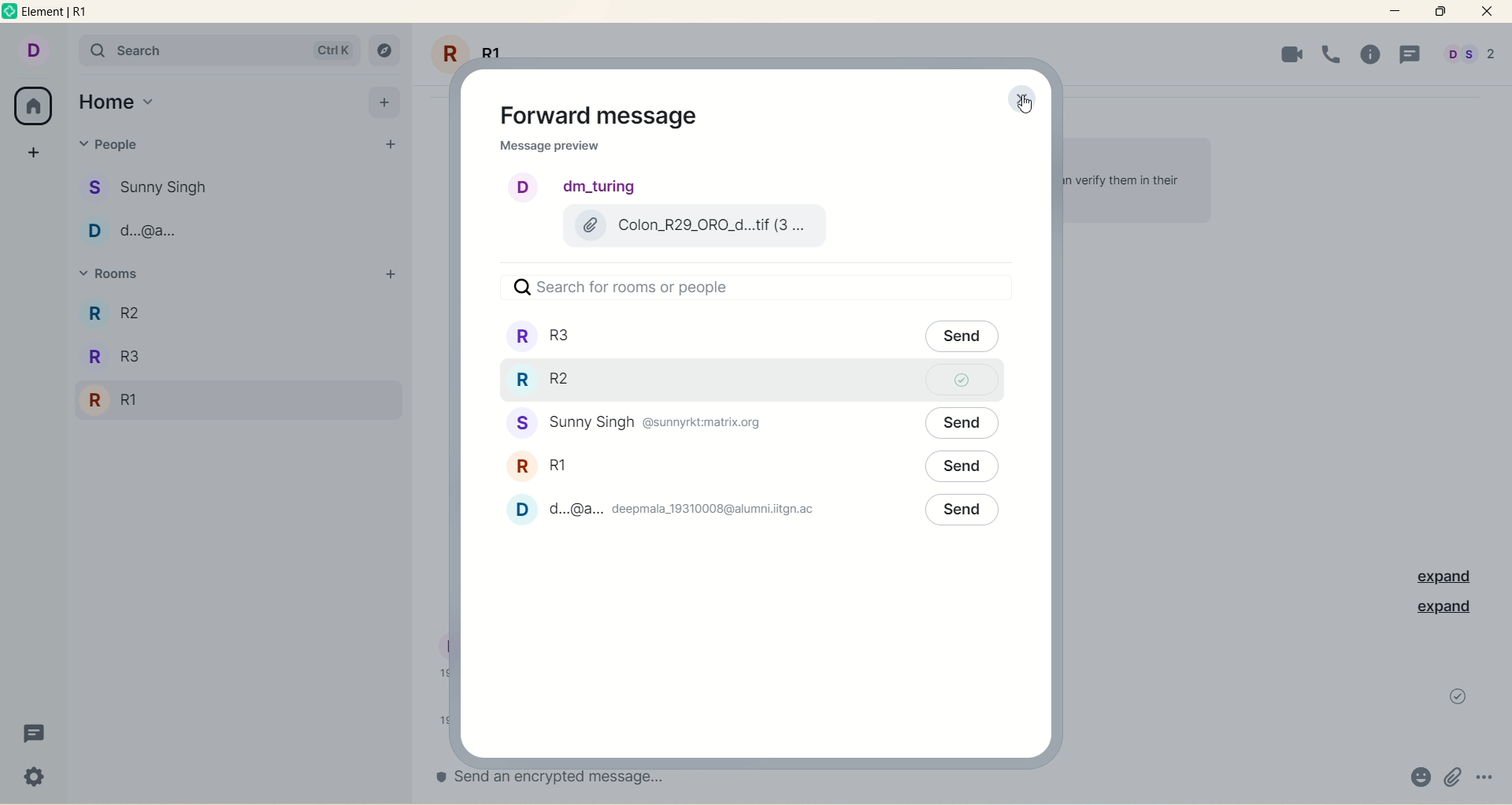 This screenshot has height=805, width=1512. Describe the element at coordinates (31, 737) in the screenshot. I see `threads` at that location.